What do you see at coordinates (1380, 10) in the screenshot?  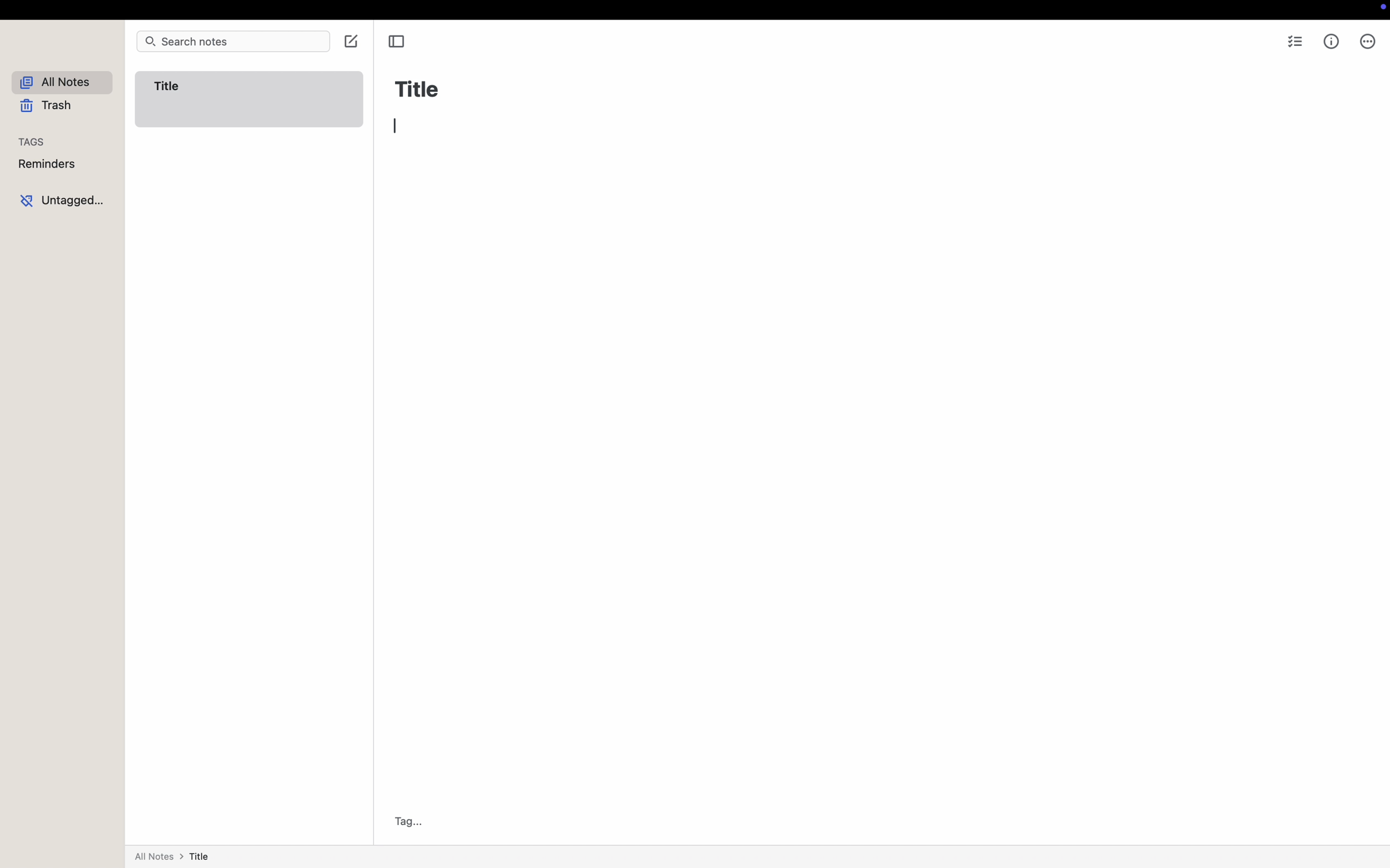 I see `screen controls` at bounding box center [1380, 10].